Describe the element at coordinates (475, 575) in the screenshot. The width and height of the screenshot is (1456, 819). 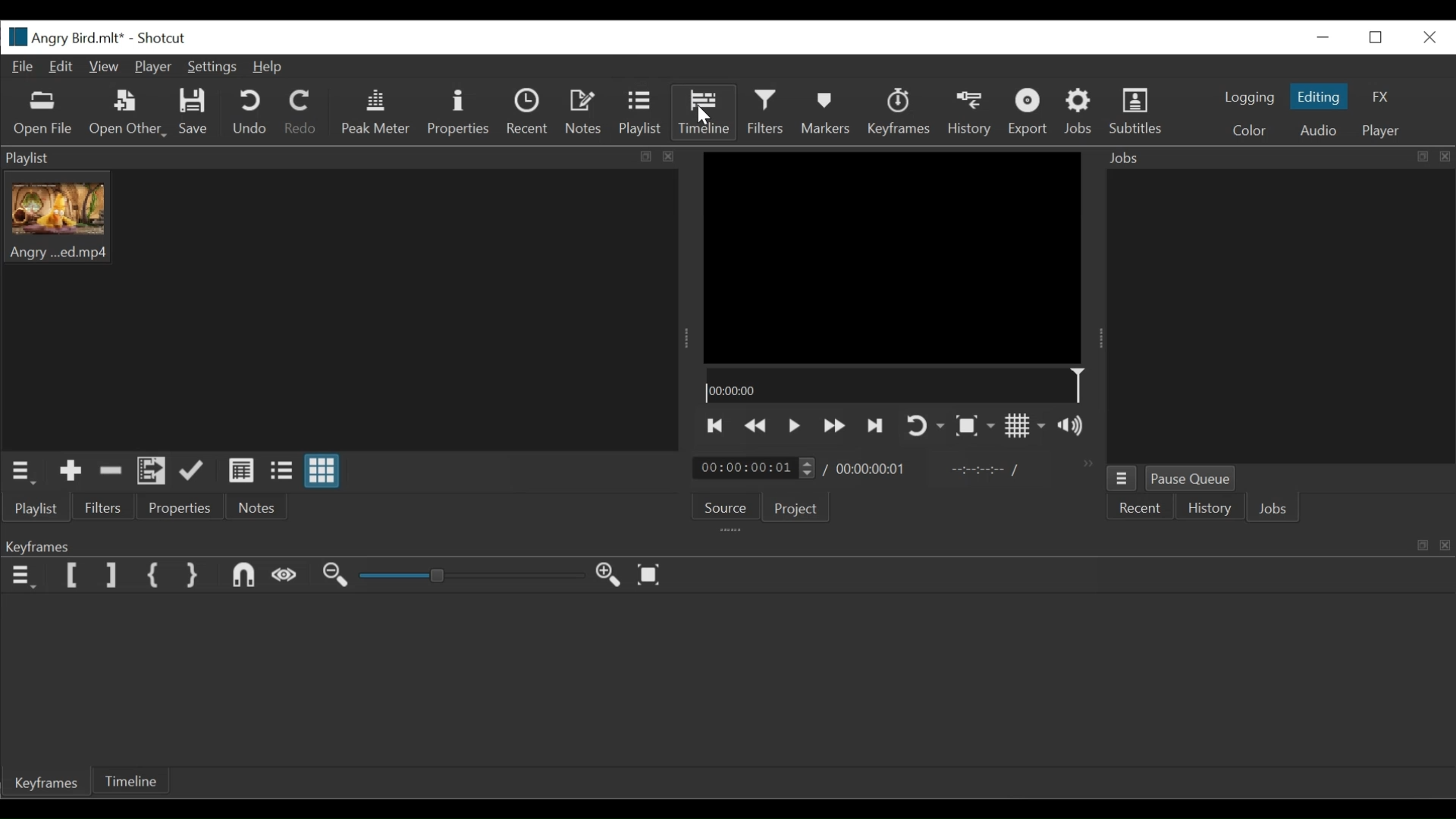
I see `Slider` at that location.